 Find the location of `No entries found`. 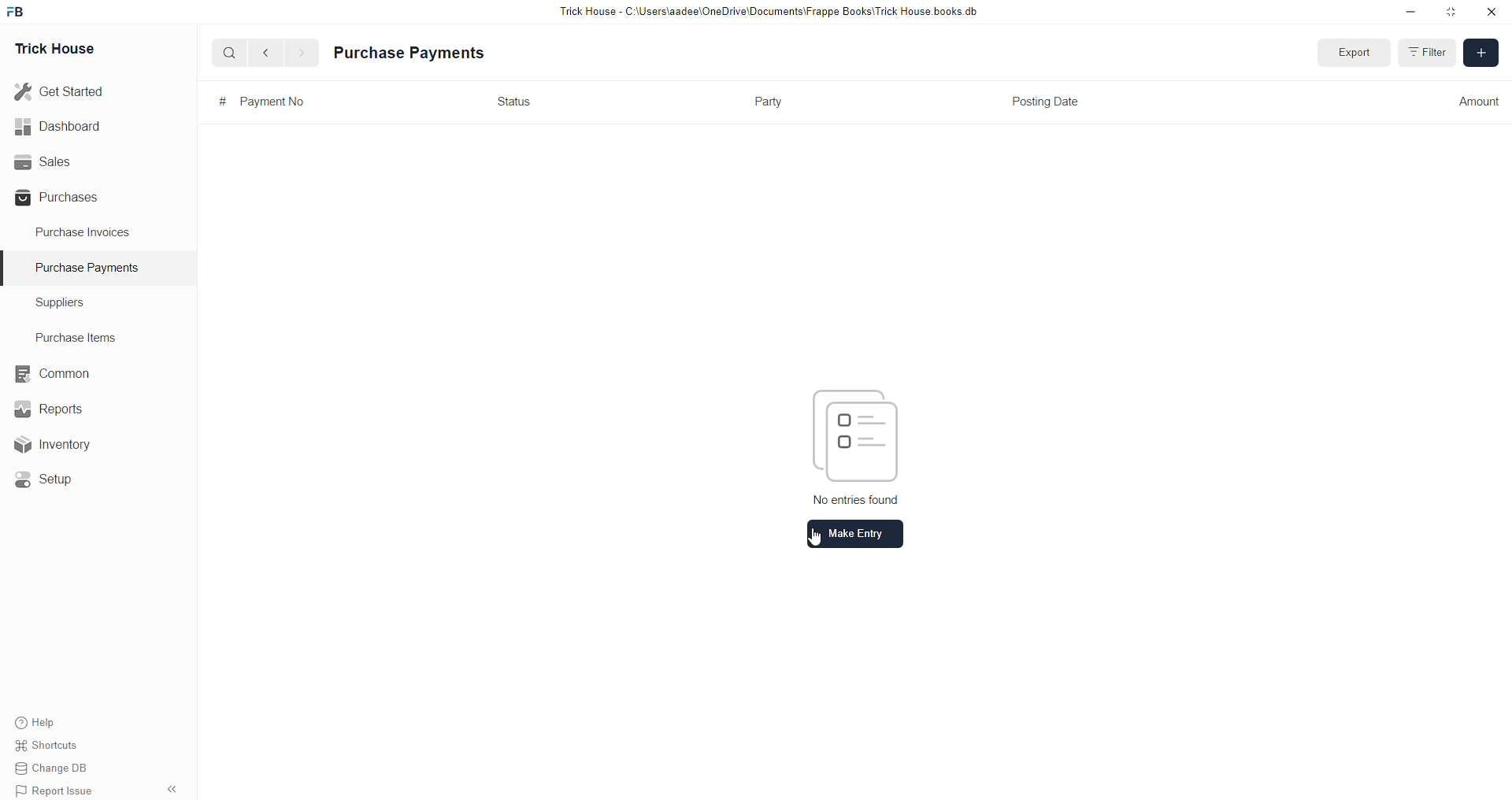

No entries found is located at coordinates (857, 497).